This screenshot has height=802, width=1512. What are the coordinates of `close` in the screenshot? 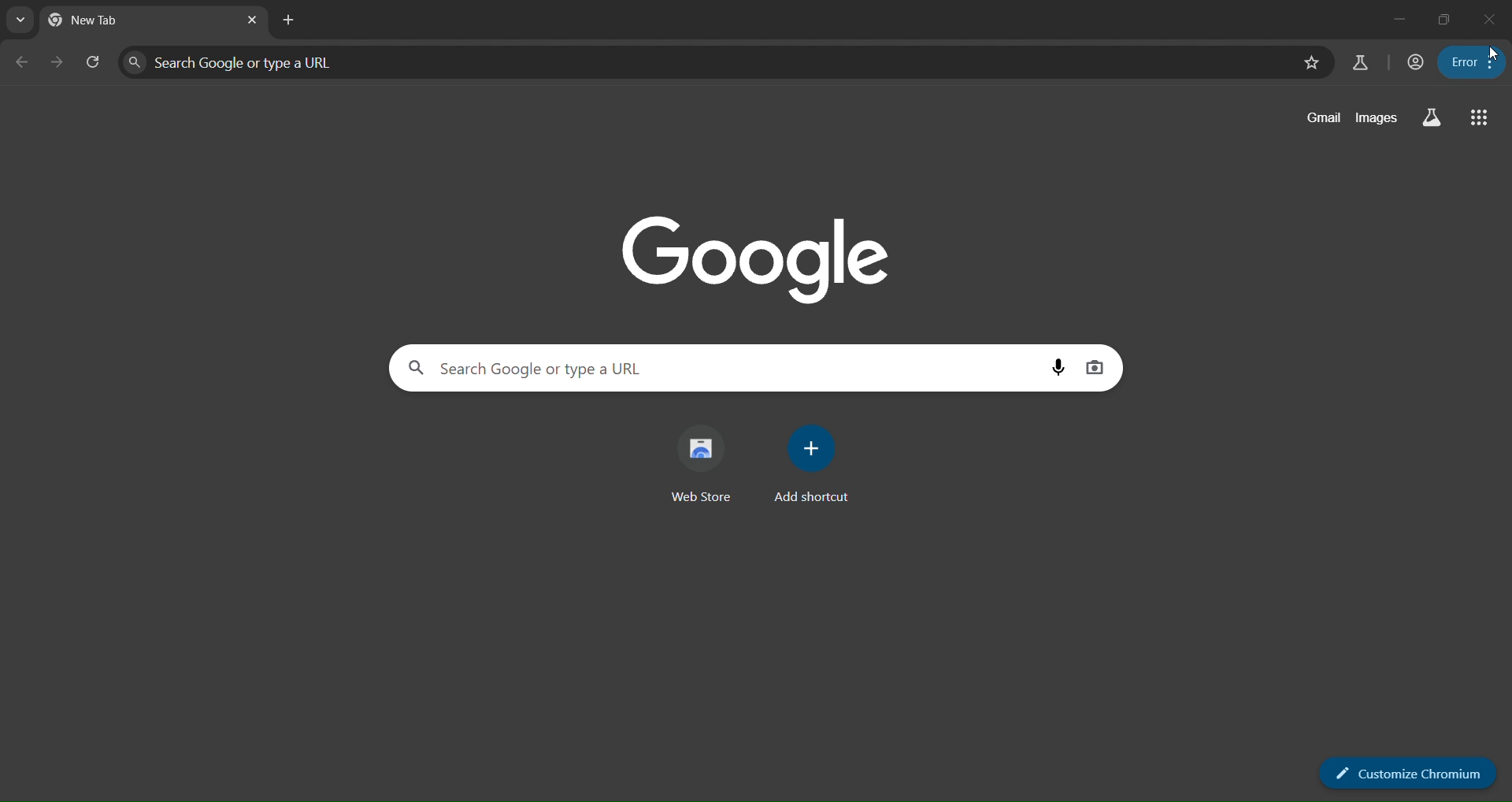 It's located at (1492, 21).